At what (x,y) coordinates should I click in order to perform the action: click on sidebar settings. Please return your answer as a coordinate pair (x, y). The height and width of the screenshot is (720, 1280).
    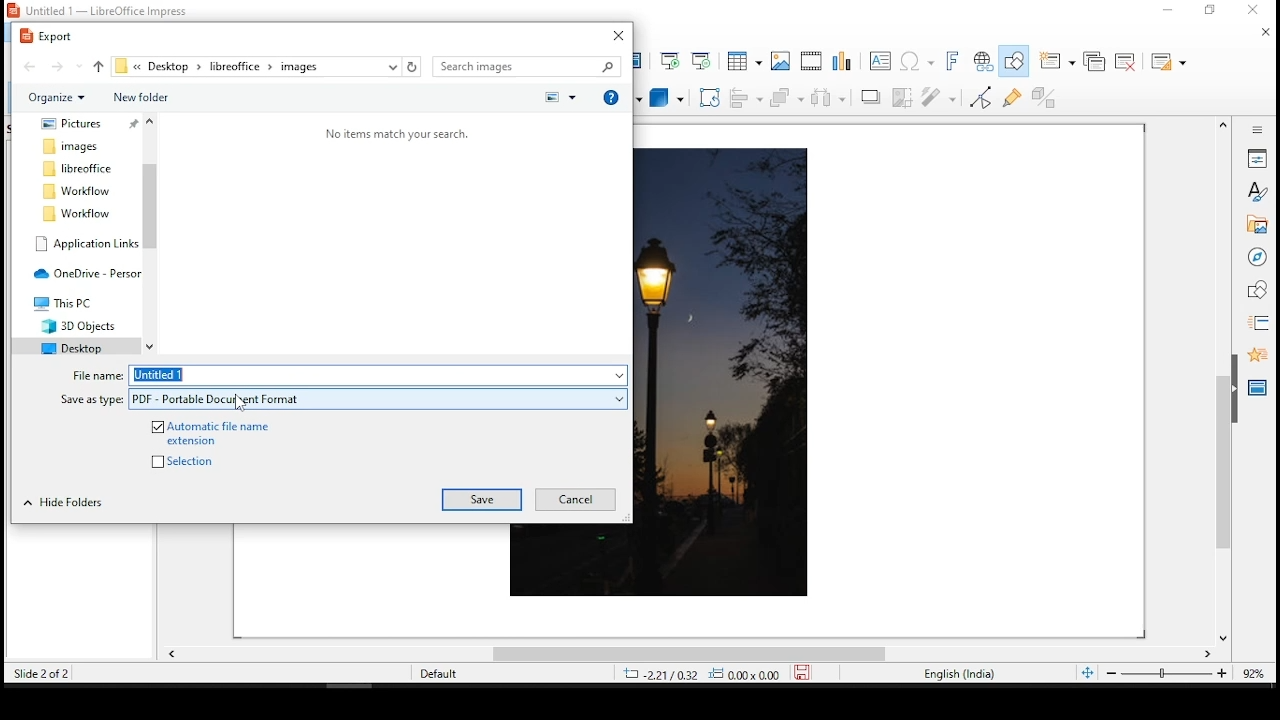
    Looking at the image, I should click on (1253, 130).